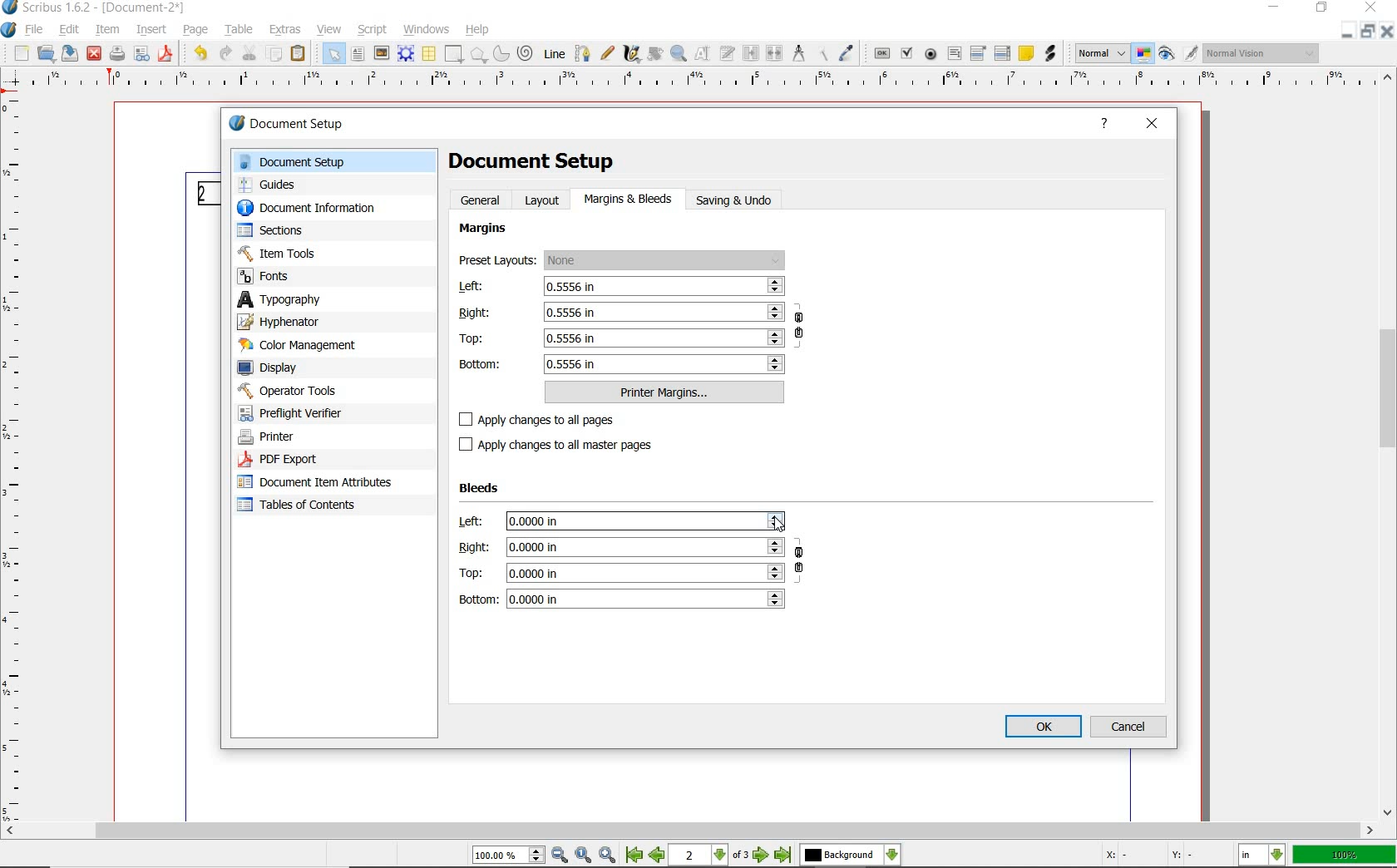 The width and height of the screenshot is (1397, 868). I want to click on general, so click(481, 200).